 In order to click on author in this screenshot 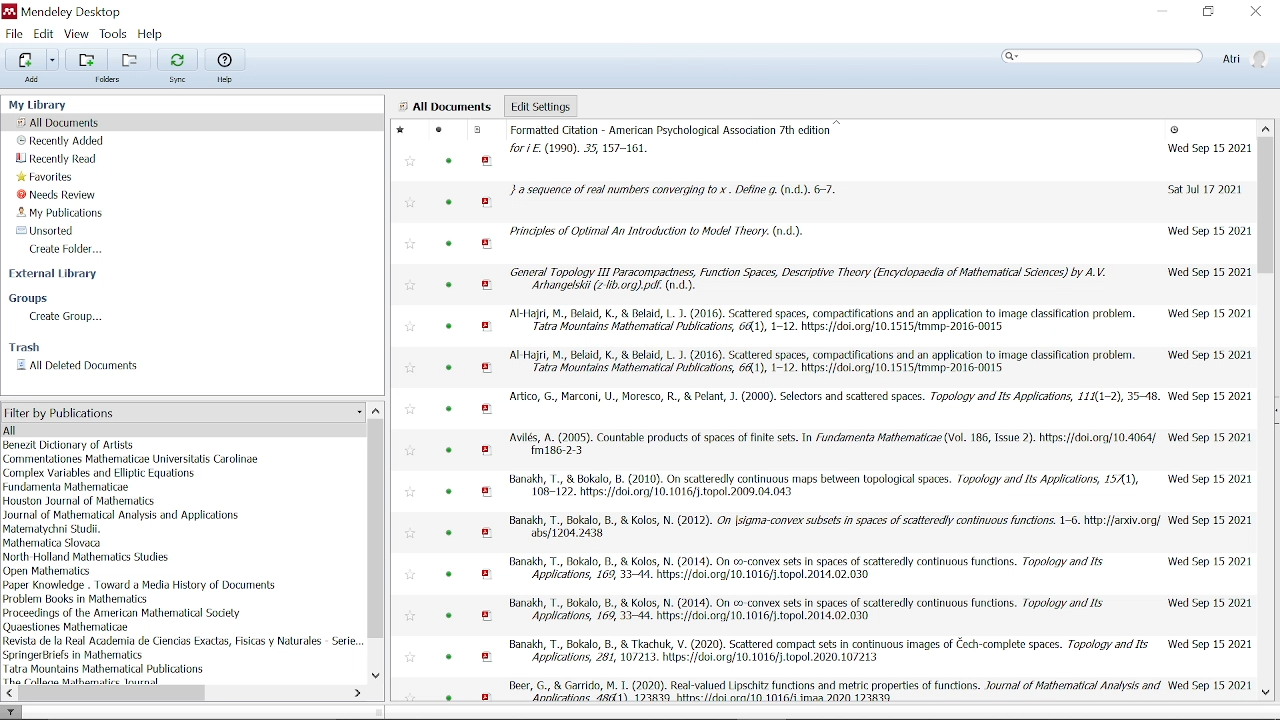, I will do `click(75, 655)`.